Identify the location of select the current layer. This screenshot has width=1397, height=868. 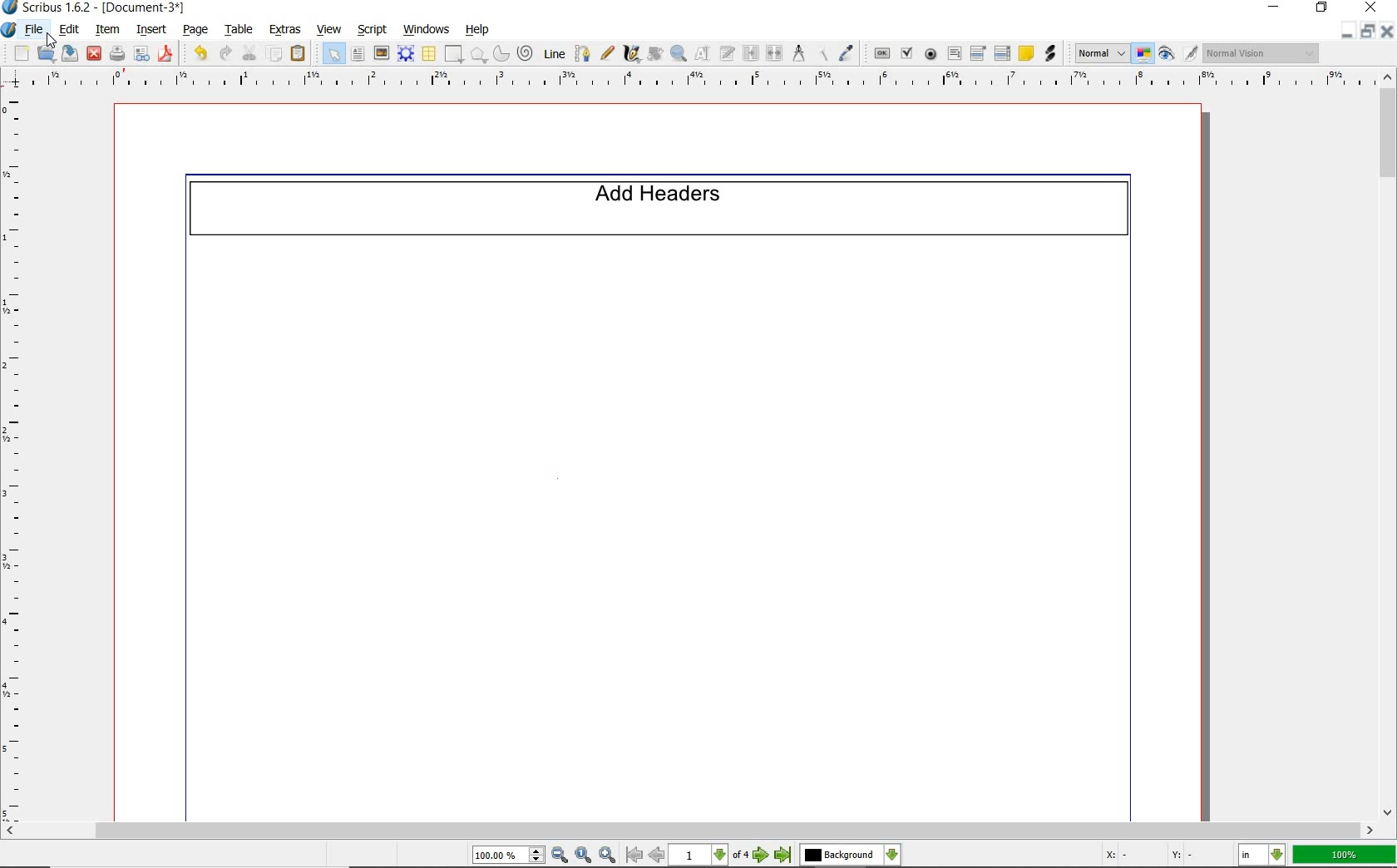
(851, 856).